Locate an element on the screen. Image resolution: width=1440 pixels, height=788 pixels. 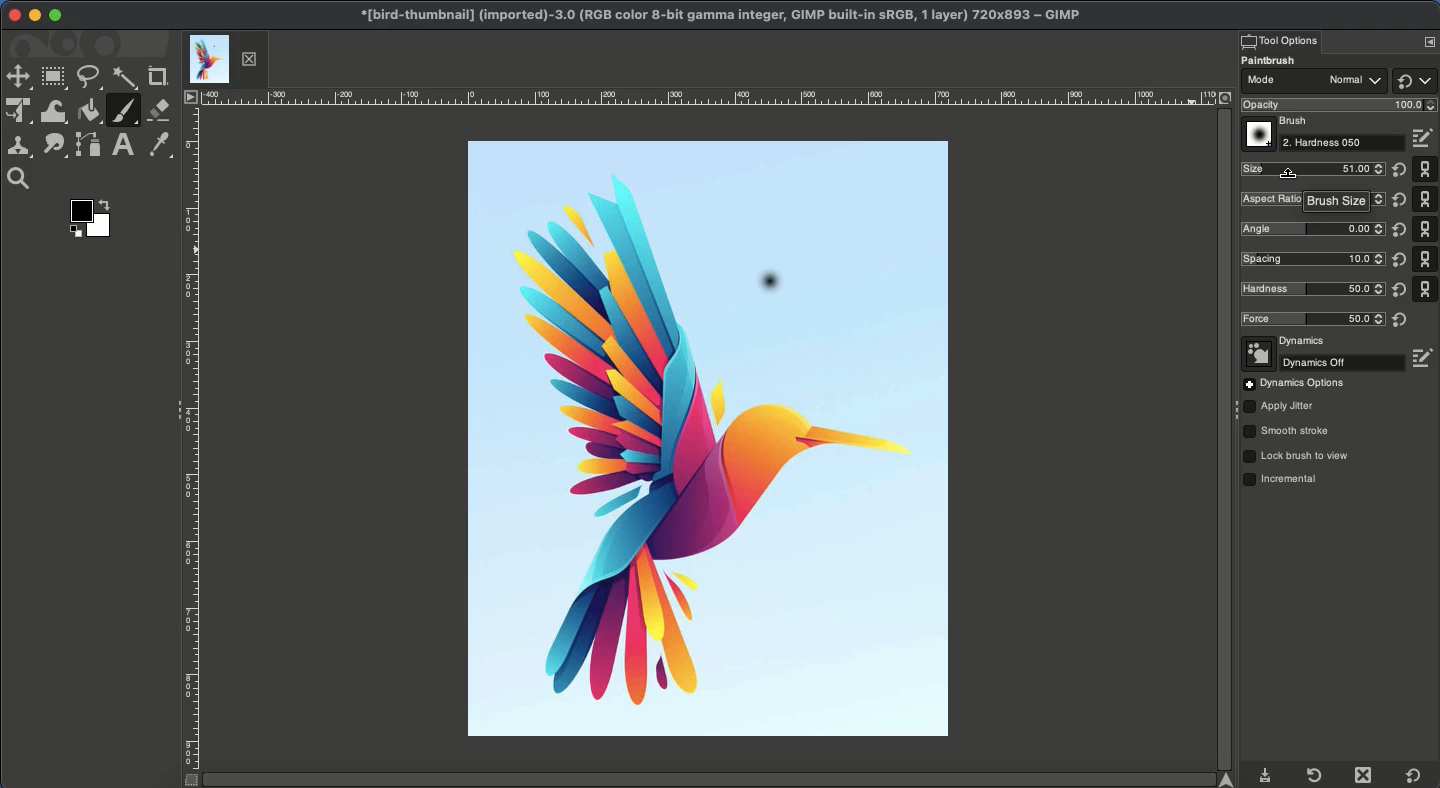
Minimize is located at coordinates (34, 15).